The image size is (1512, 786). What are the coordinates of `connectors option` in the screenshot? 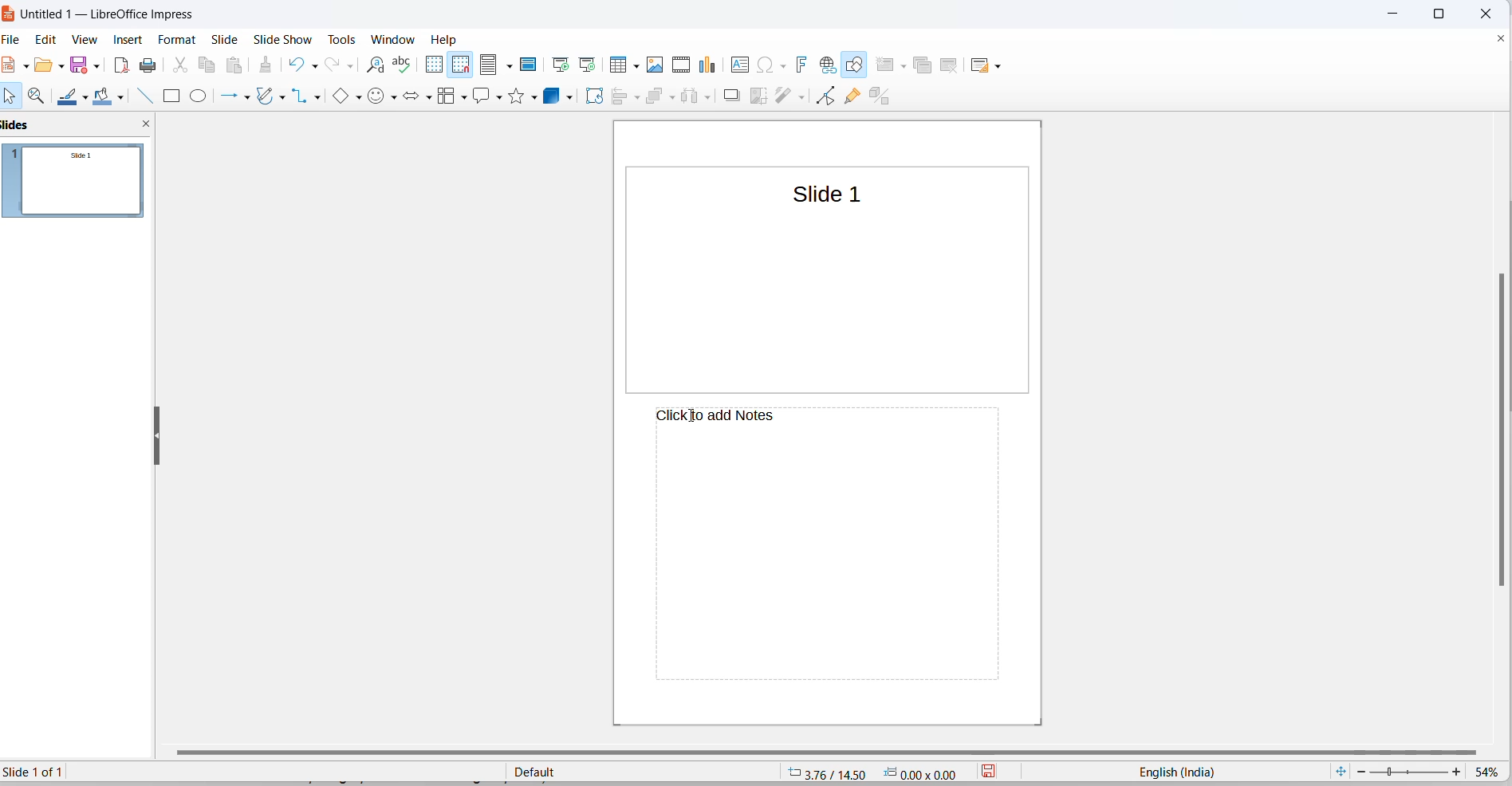 It's located at (319, 97).